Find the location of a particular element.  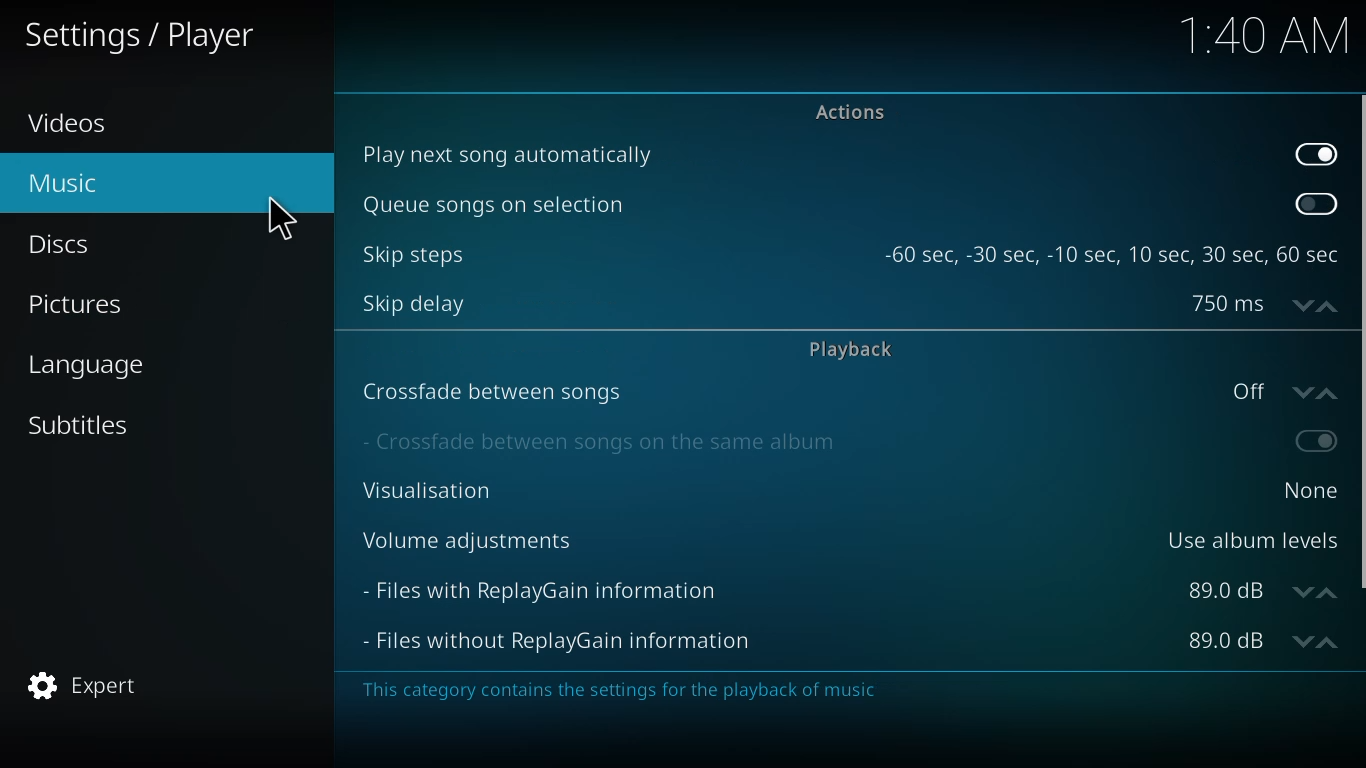

enable is located at coordinates (1318, 439).